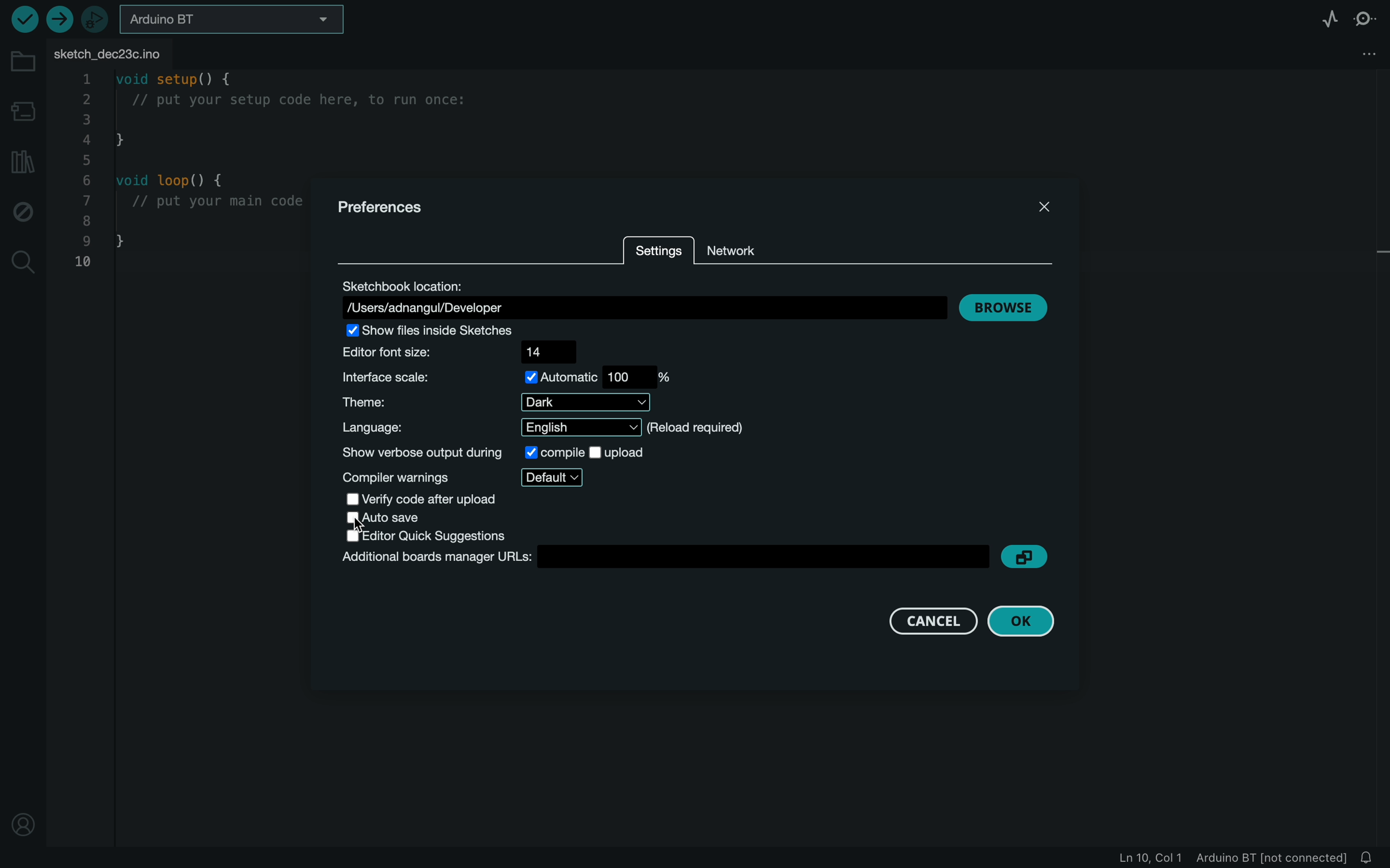  I want to click on theme, so click(506, 401).